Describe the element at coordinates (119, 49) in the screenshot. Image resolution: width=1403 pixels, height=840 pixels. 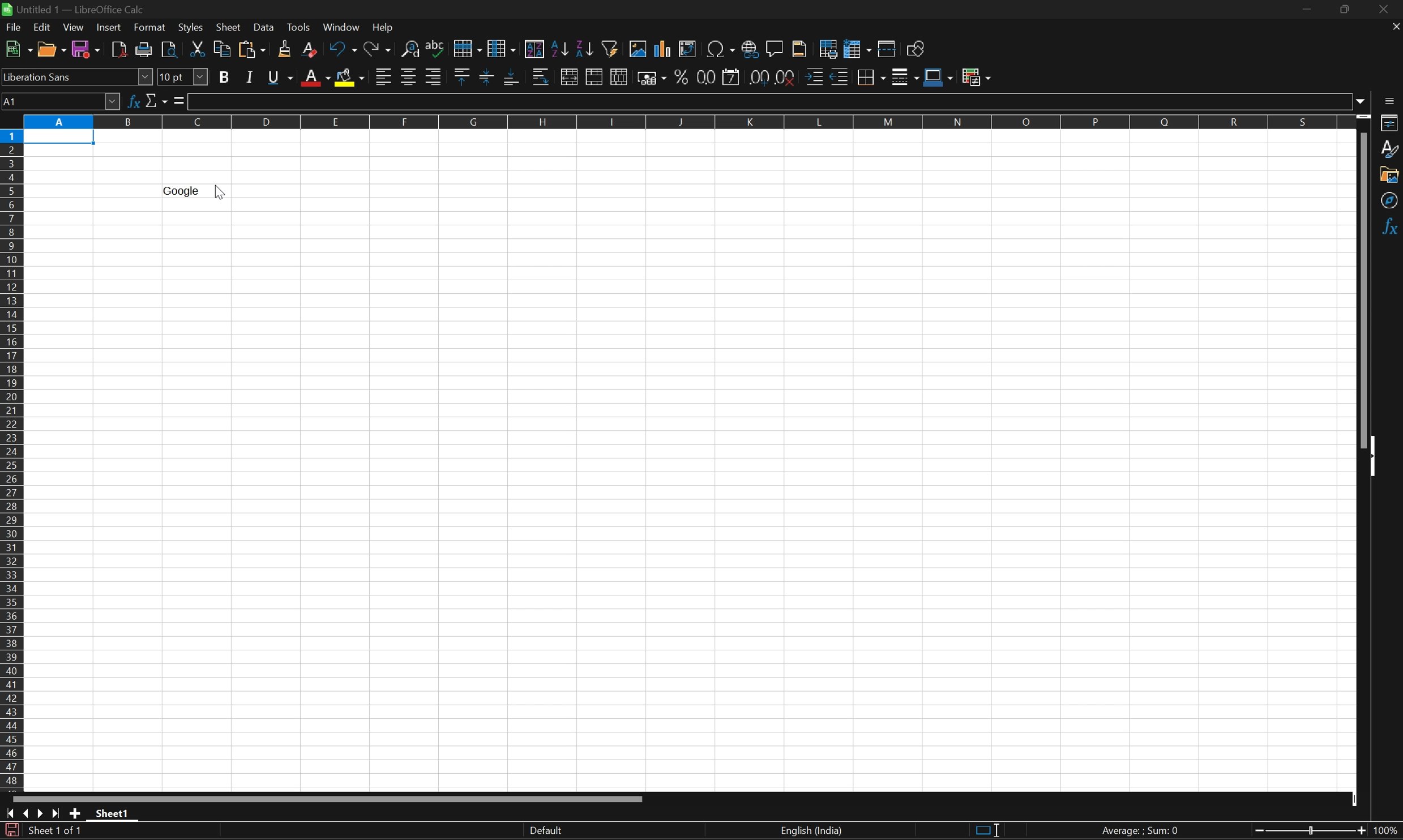
I see `Export directly as PDF` at that location.